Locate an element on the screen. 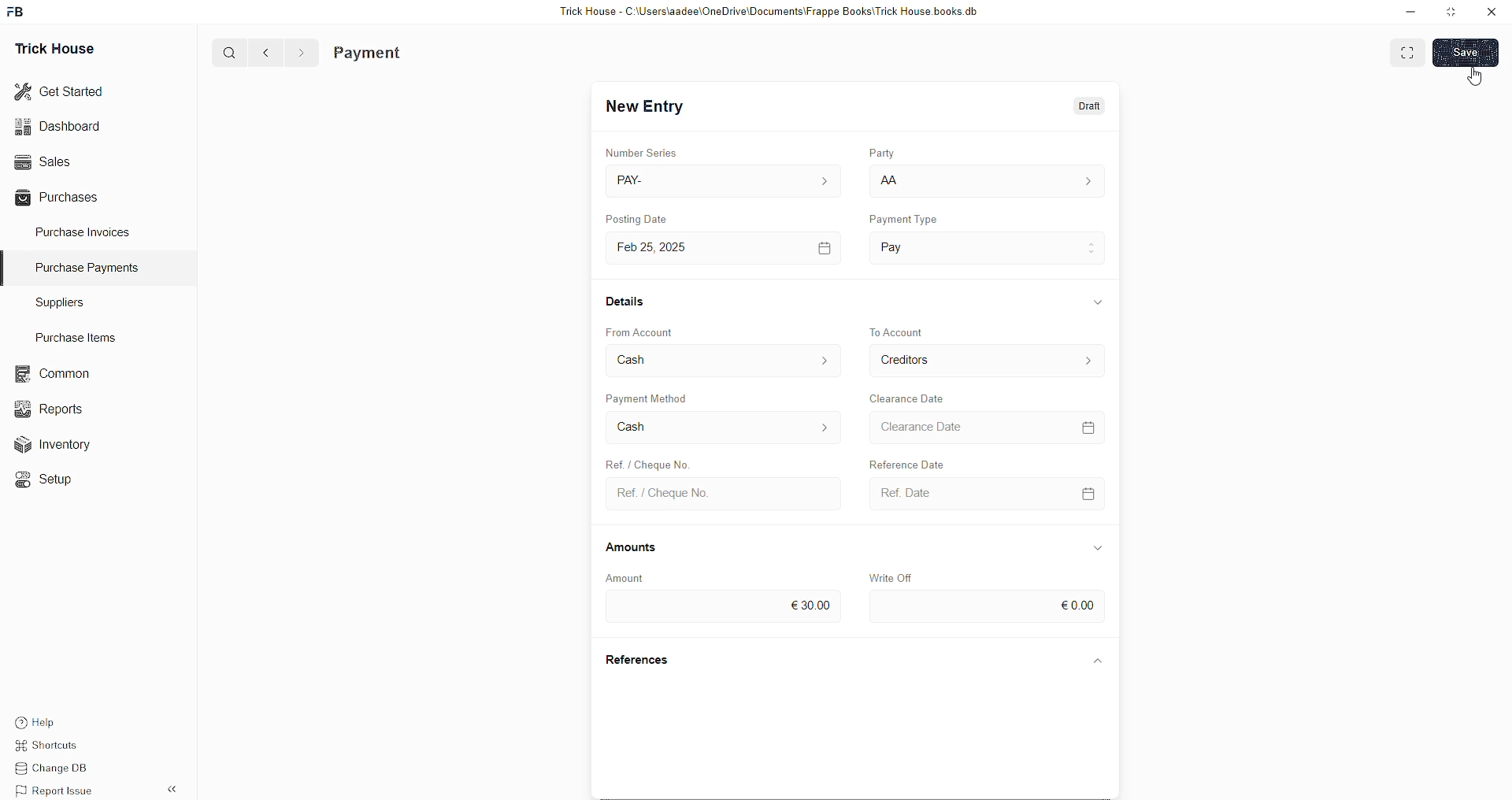 This screenshot has width=1512, height=800. New Entry is located at coordinates (649, 107).